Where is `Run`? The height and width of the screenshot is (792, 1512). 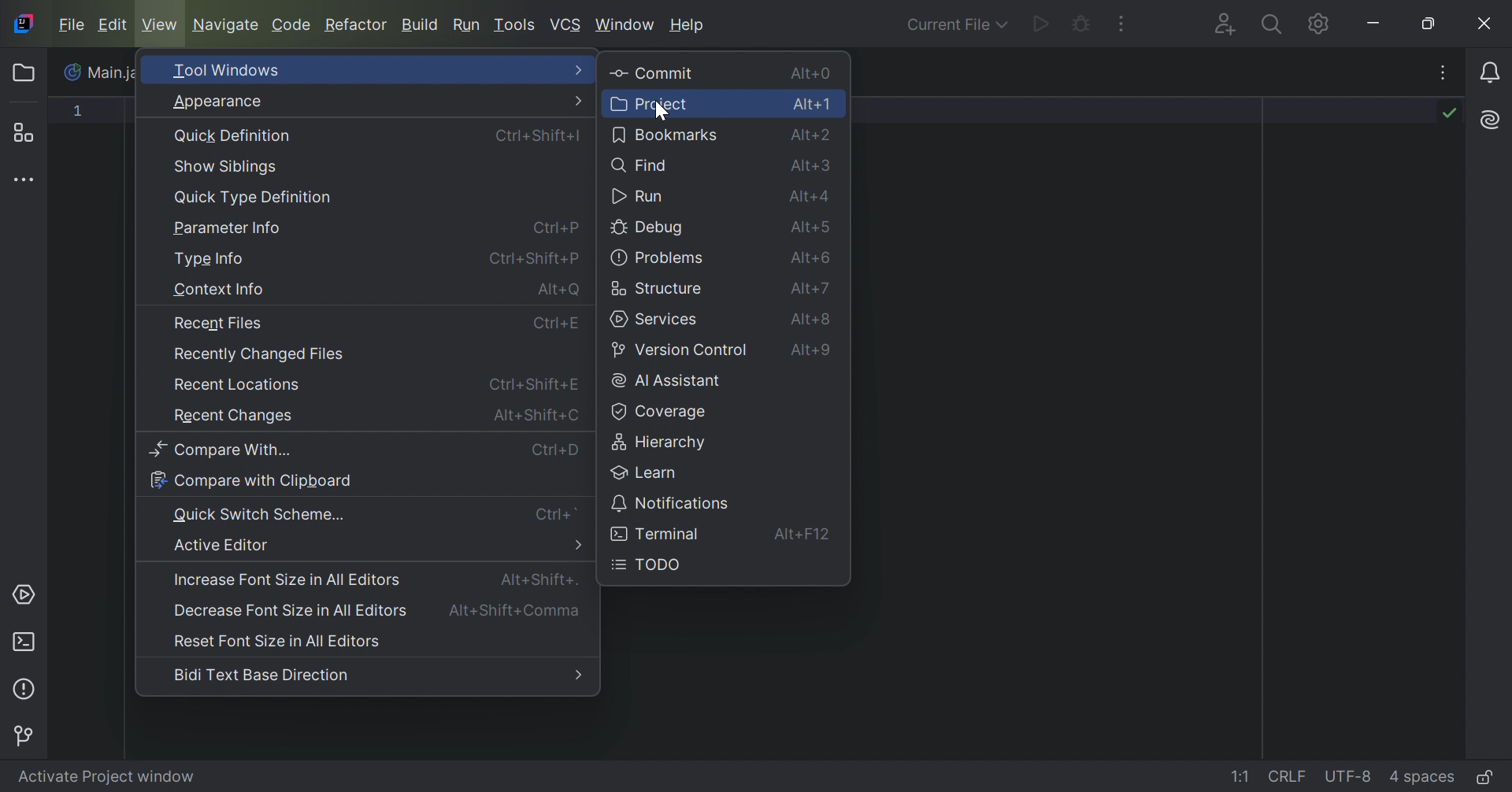
Run is located at coordinates (1039, 26).